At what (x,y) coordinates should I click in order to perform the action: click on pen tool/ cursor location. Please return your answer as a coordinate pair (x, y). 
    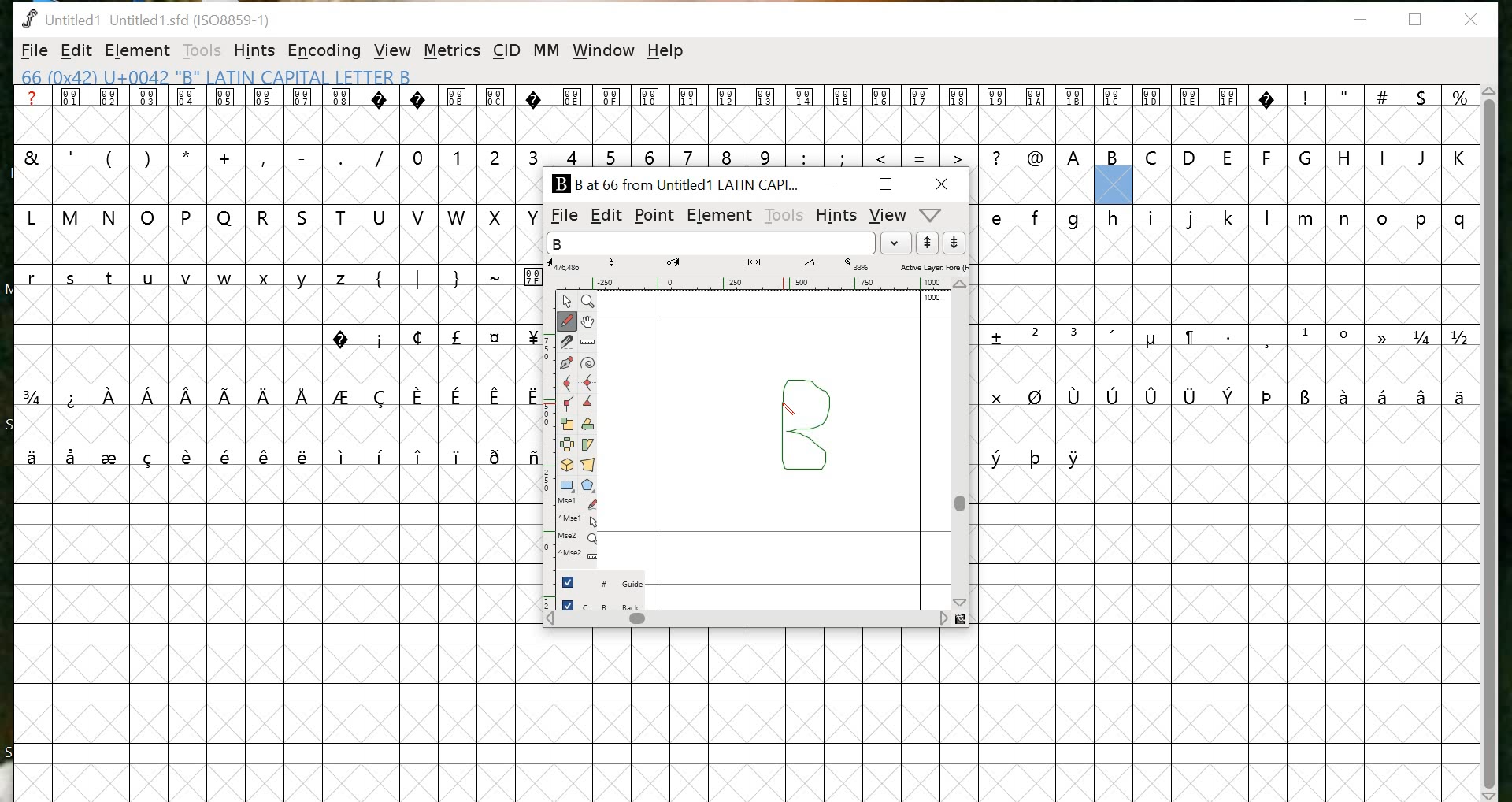
    Looking at the image, I should click on (789, 407).